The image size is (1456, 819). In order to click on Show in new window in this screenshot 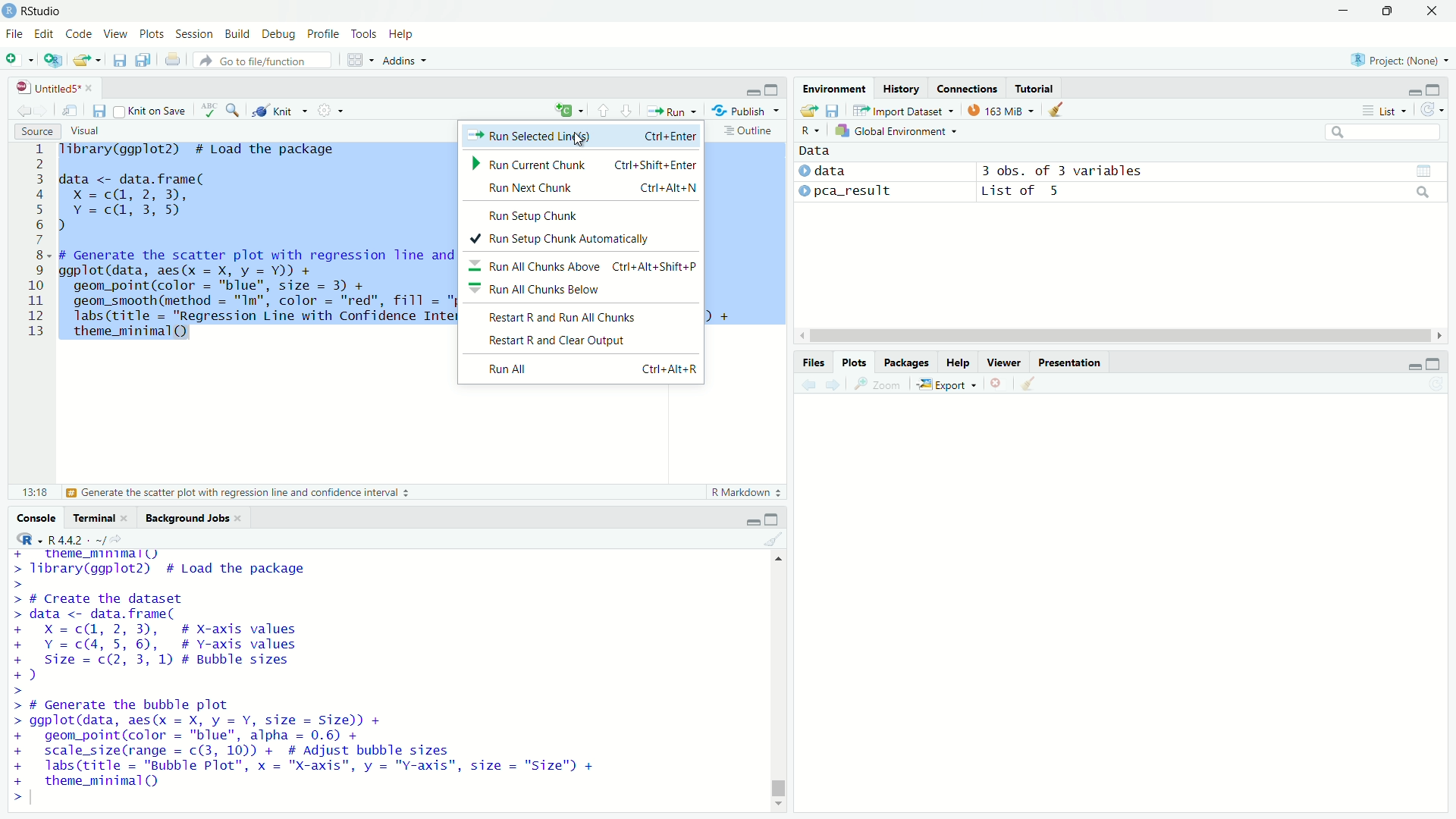, I will do `click(70, 110)`.